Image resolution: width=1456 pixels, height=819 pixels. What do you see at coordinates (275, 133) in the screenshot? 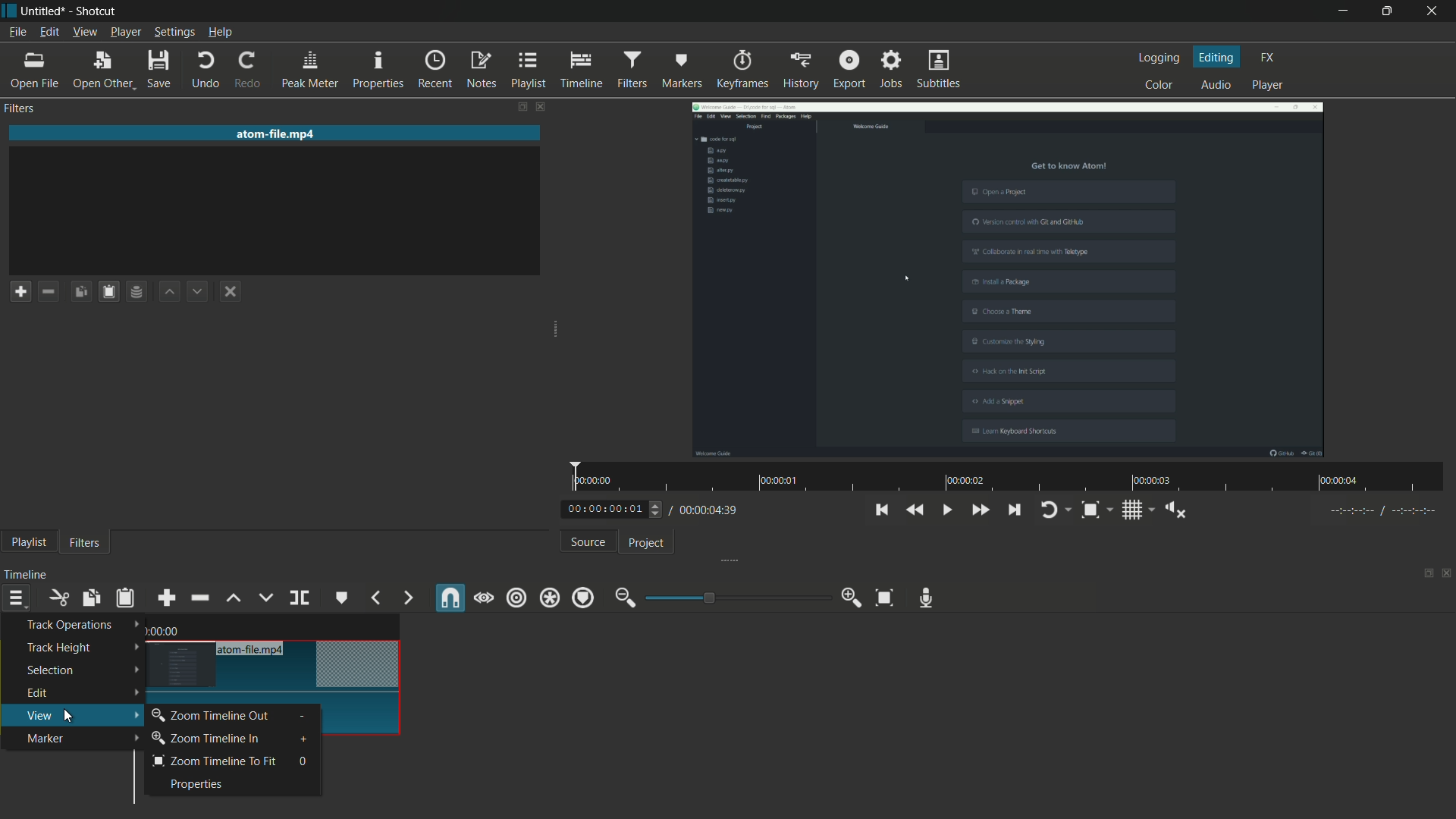
I see `imported file name` at bounding box center [275, 133].